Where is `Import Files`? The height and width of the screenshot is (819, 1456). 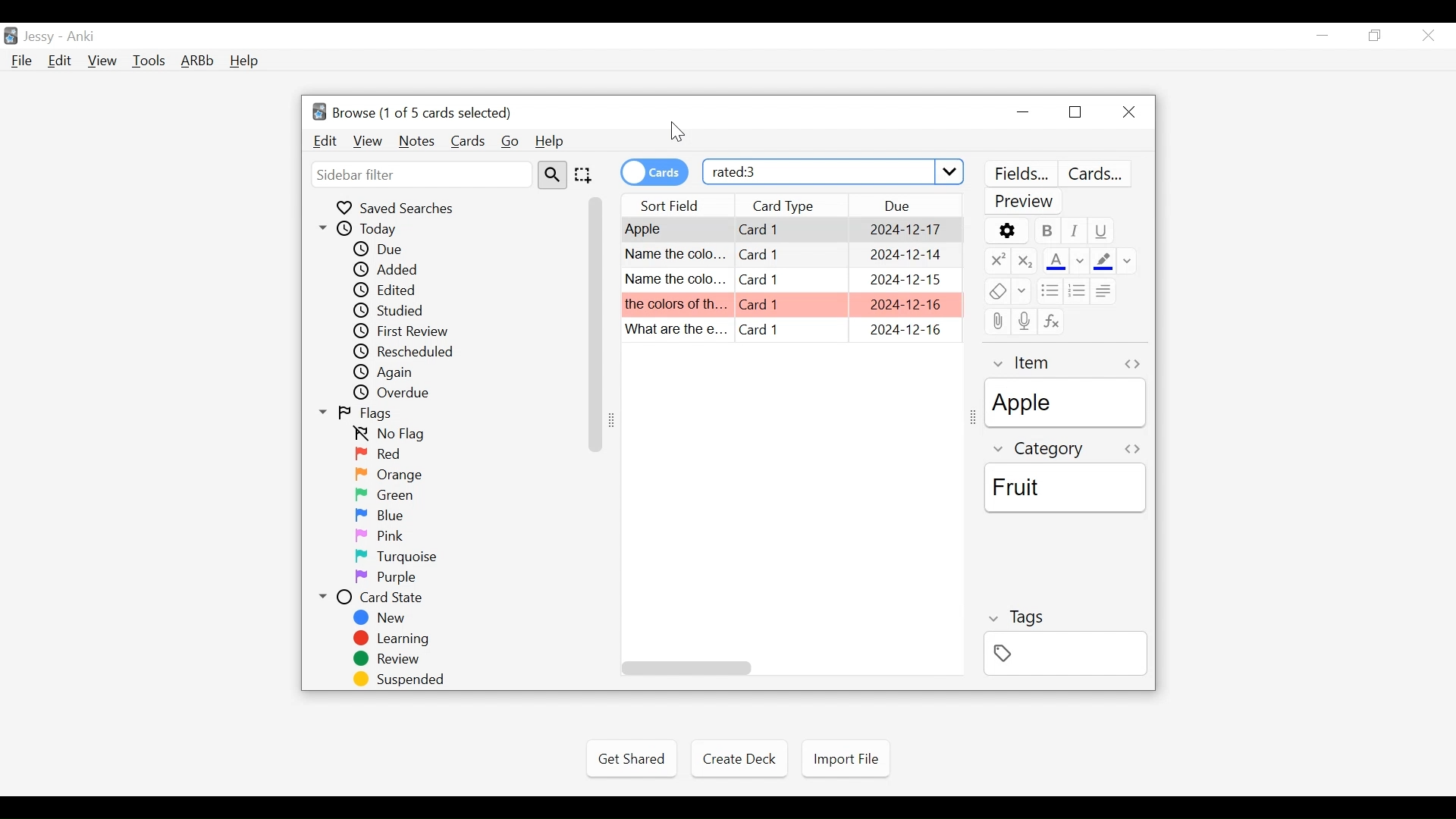 Import Files is located at coordinates (846, 761).